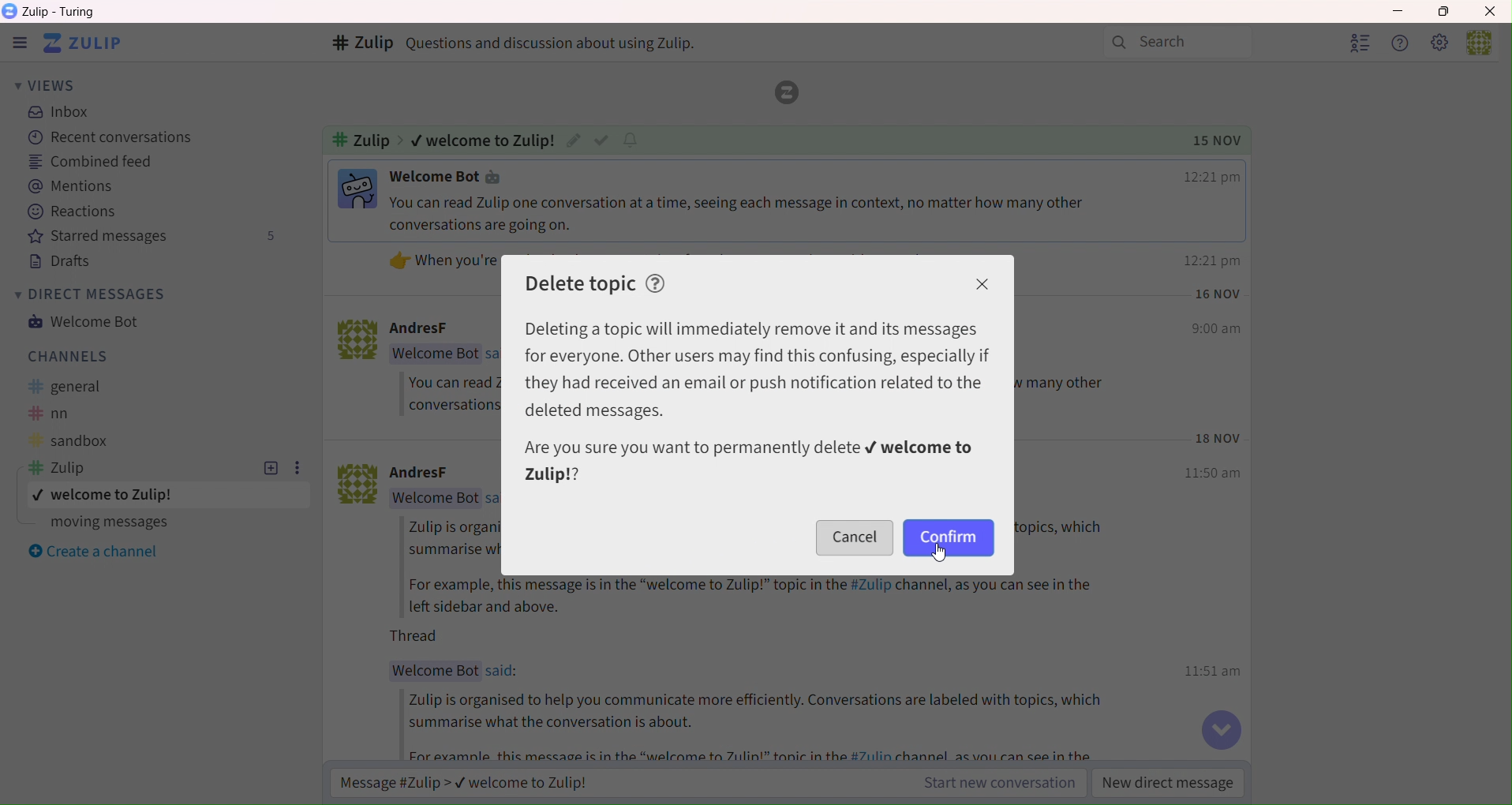  What do you see at coordinates (442, 328) in the screenshot?
I see `Text` at bounding box center [442, 328].